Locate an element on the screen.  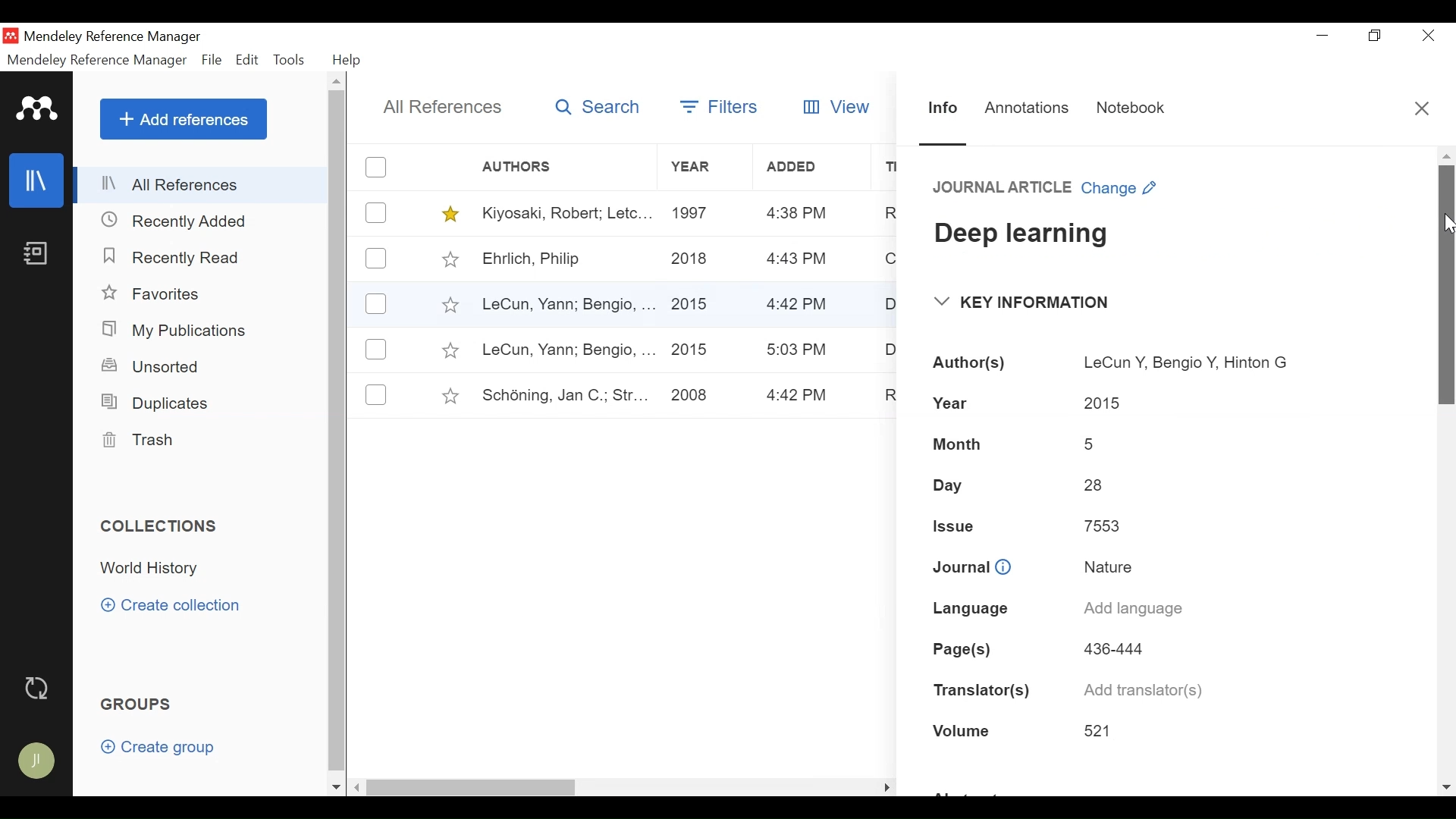
Added is located at coordinates (814, 167).